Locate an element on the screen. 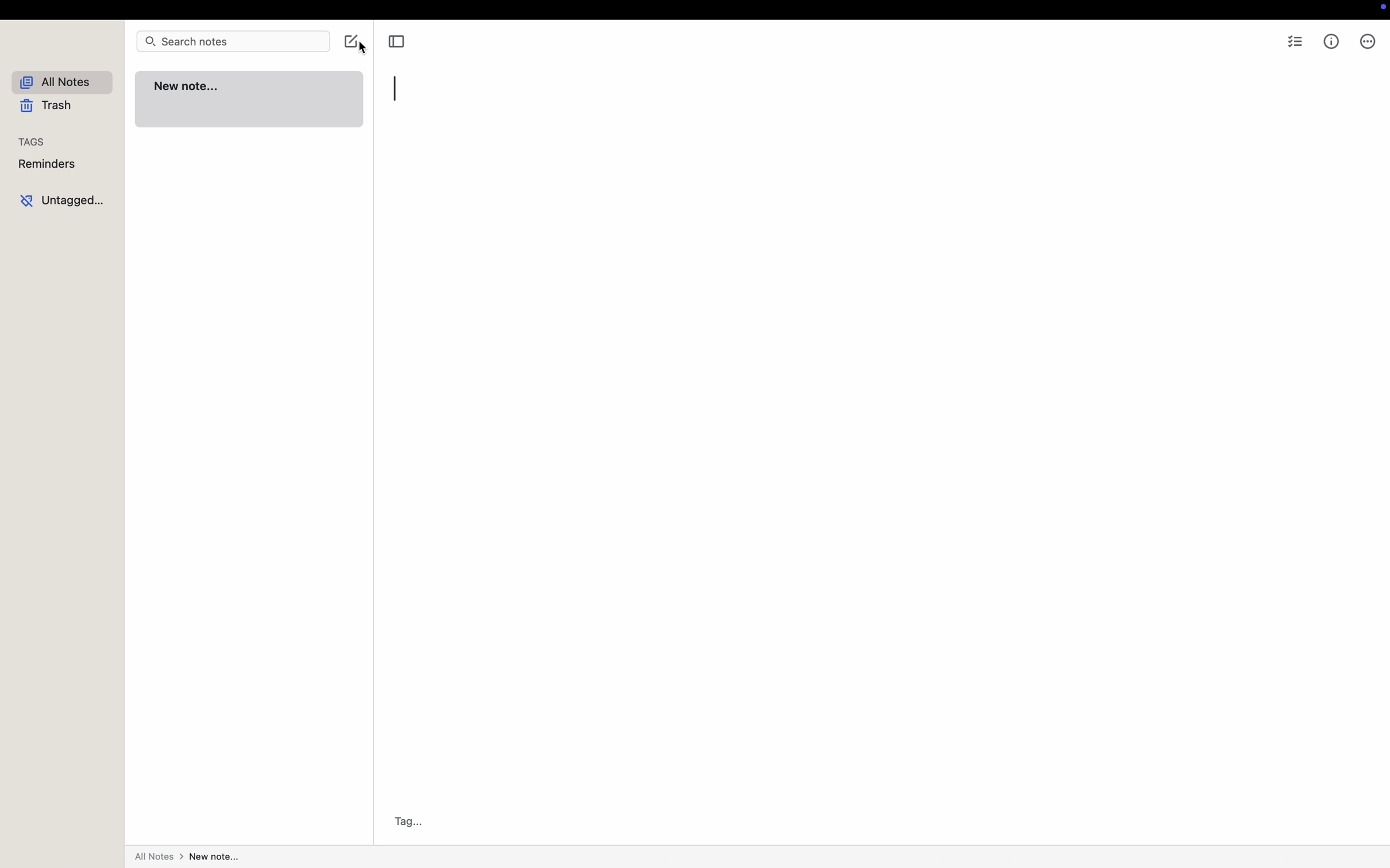 The height and width of the screenshot is (868, 1390). tags is located at coordinates (61, 142).